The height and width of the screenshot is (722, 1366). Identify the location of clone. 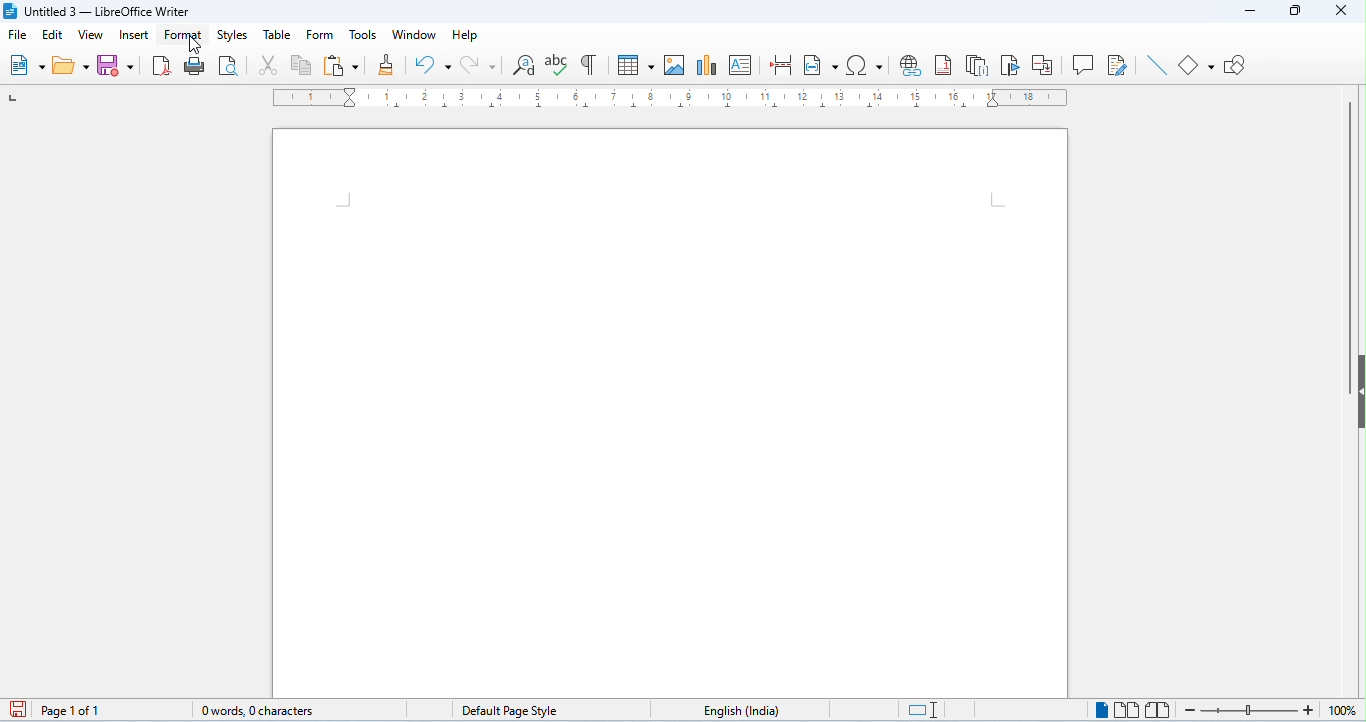
(387, 63).